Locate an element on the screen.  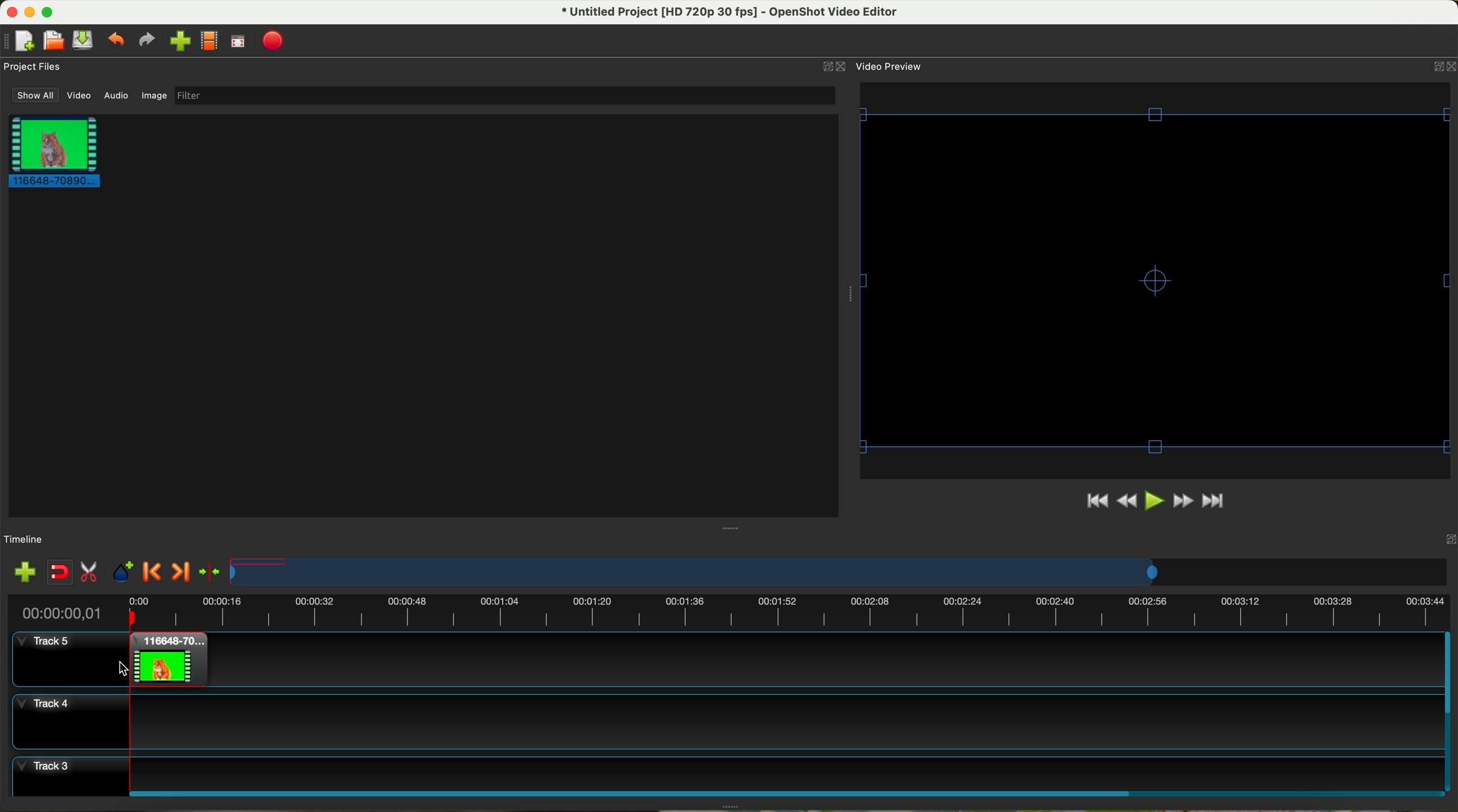
timeline is located at coordinates (840, 572).